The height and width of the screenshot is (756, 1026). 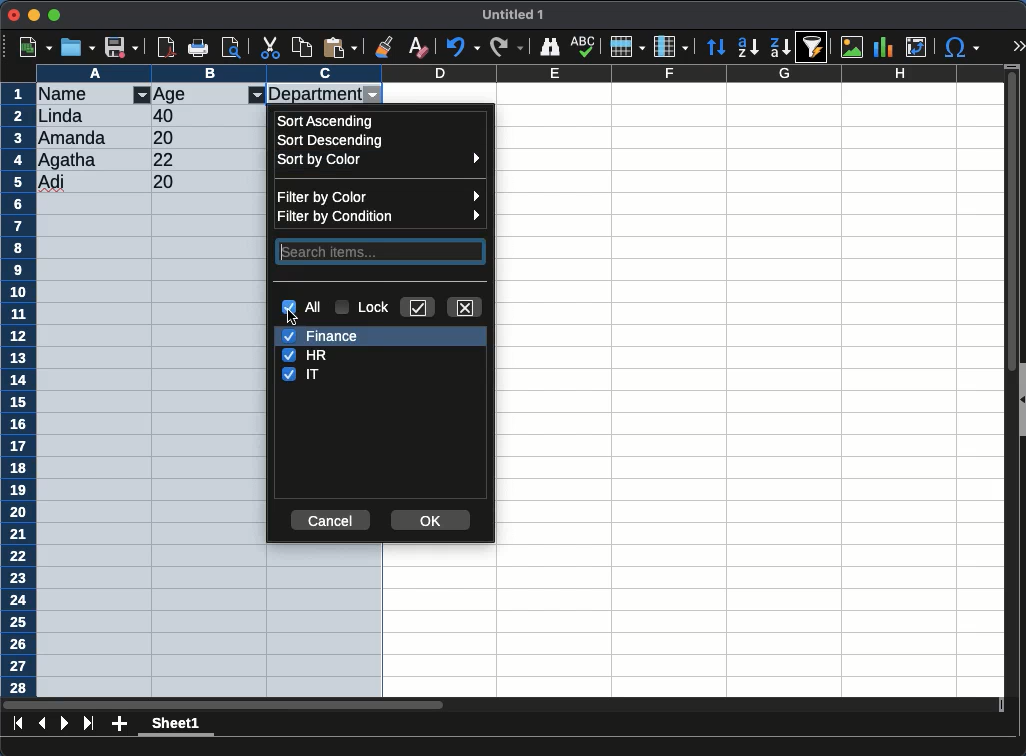 I want to click on finance, so click(x=323, y=334).